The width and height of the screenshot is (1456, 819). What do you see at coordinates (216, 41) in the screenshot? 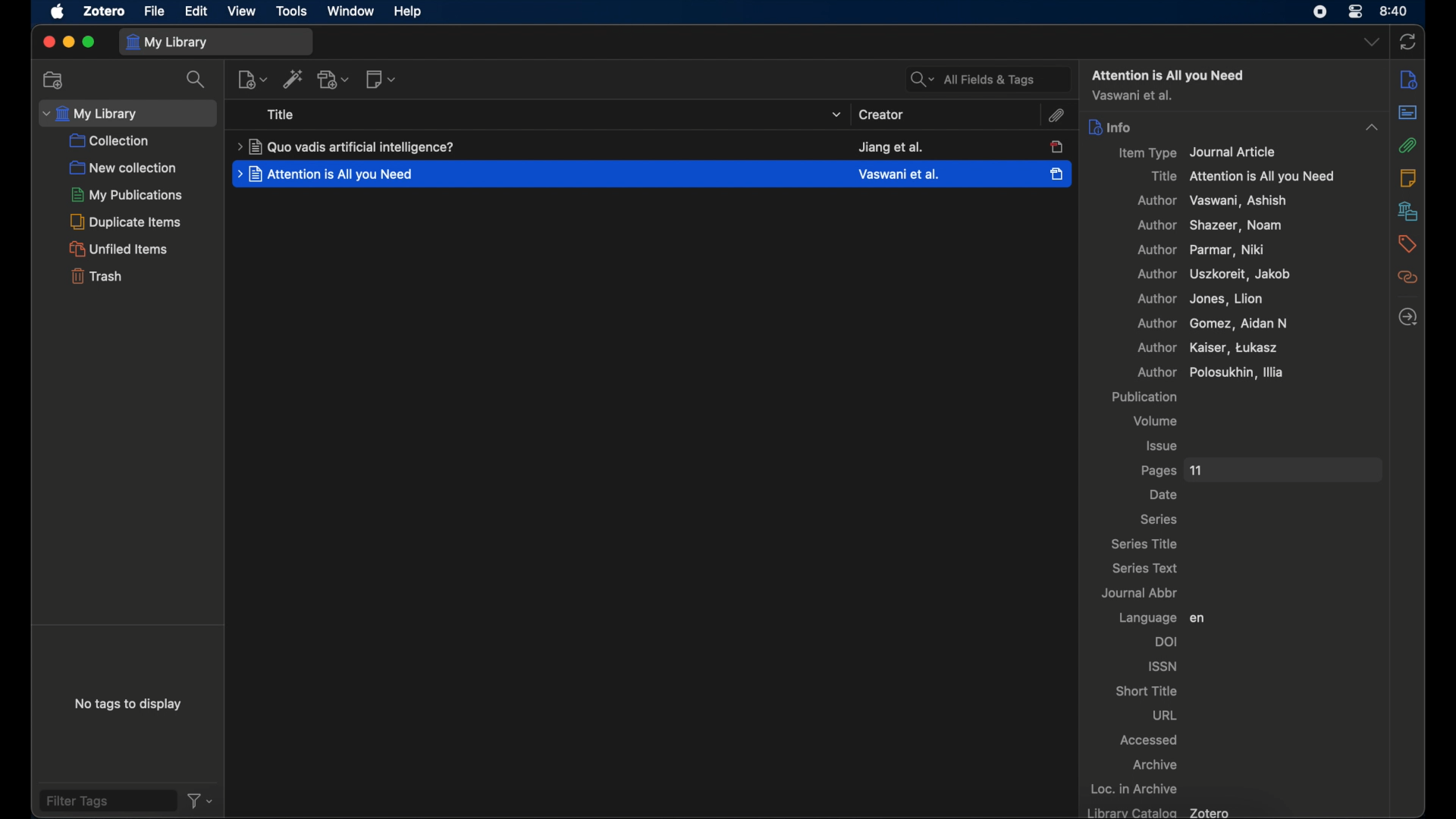
I see `my library` at bounding box center [216, 41].